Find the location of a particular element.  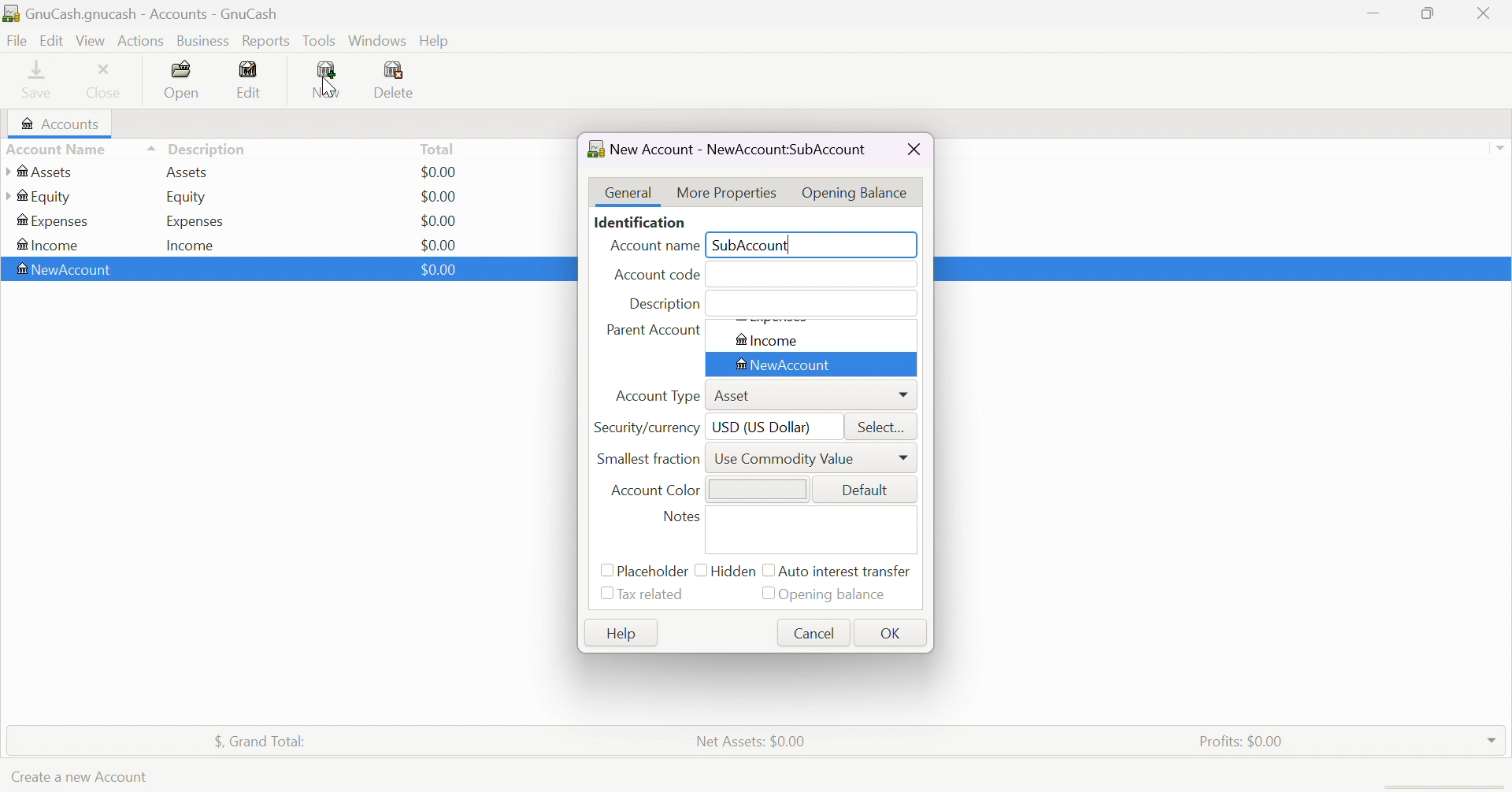

Hidden is located at coordinates (734, 570).